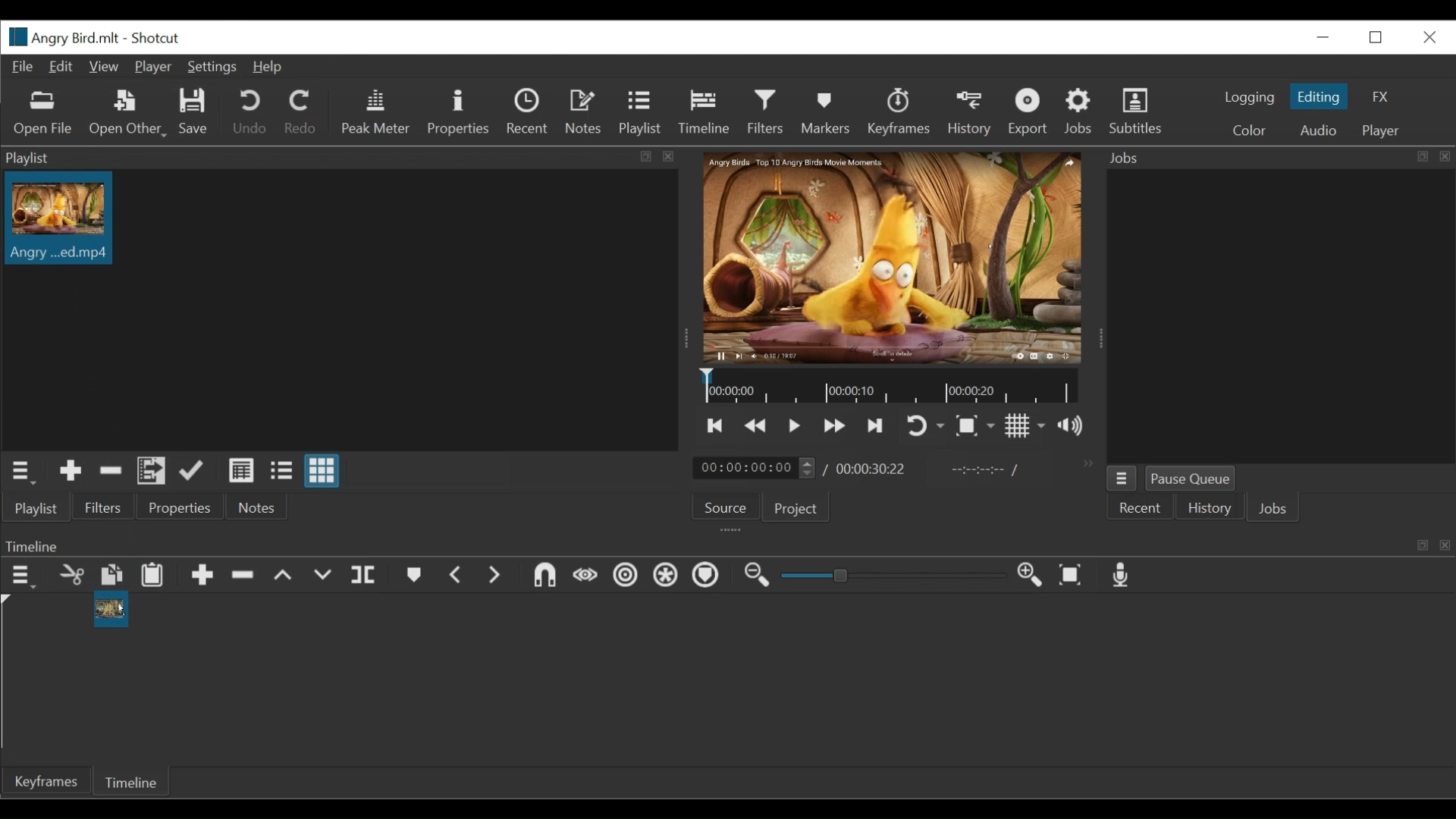 The width and height of the screenshot is (1456, 819). What do you see at coordinates (799, 507) in the screenshot?
I see `Project` at bounding box center [799, 507].